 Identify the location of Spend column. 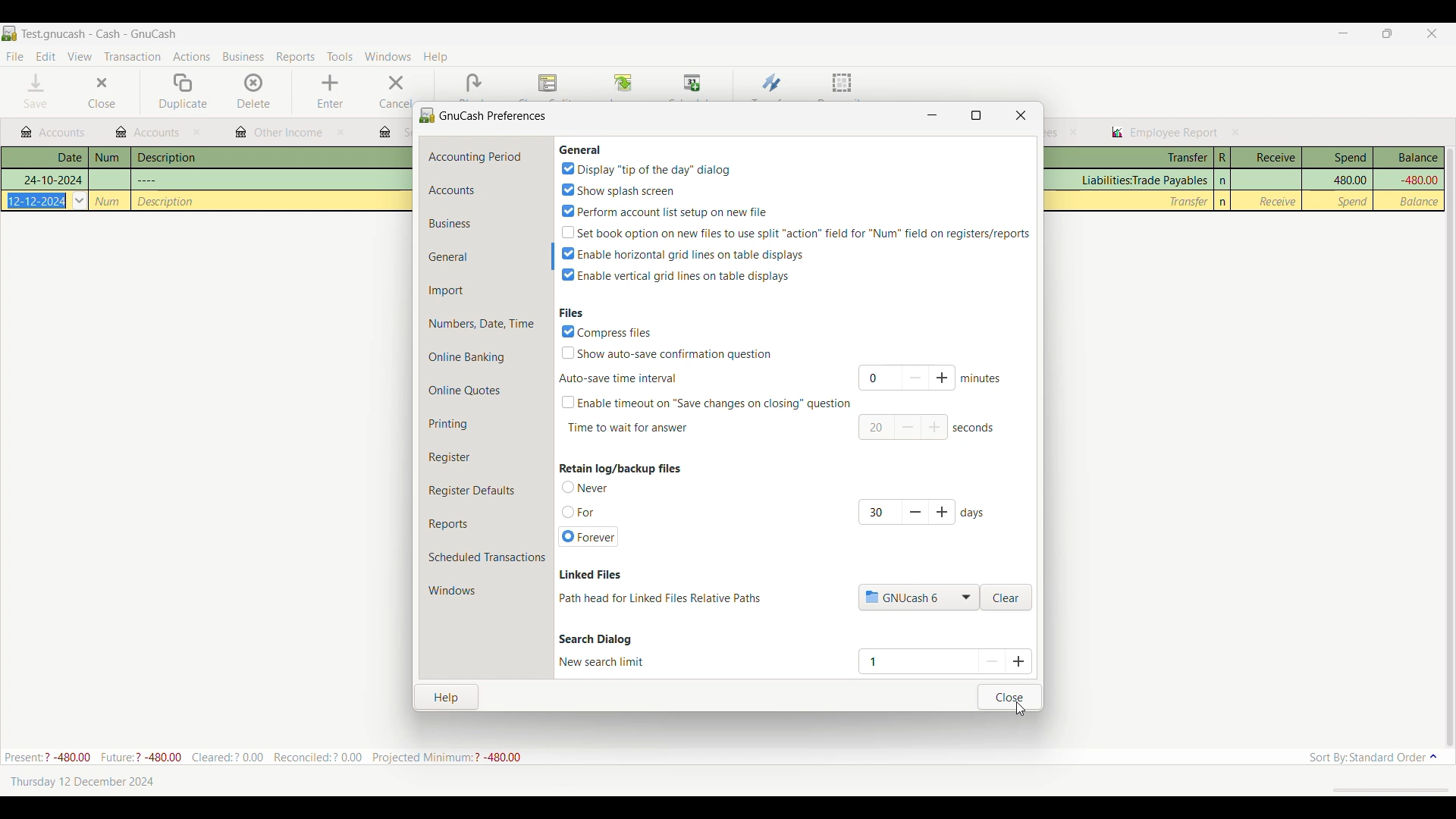
(1354, 201).